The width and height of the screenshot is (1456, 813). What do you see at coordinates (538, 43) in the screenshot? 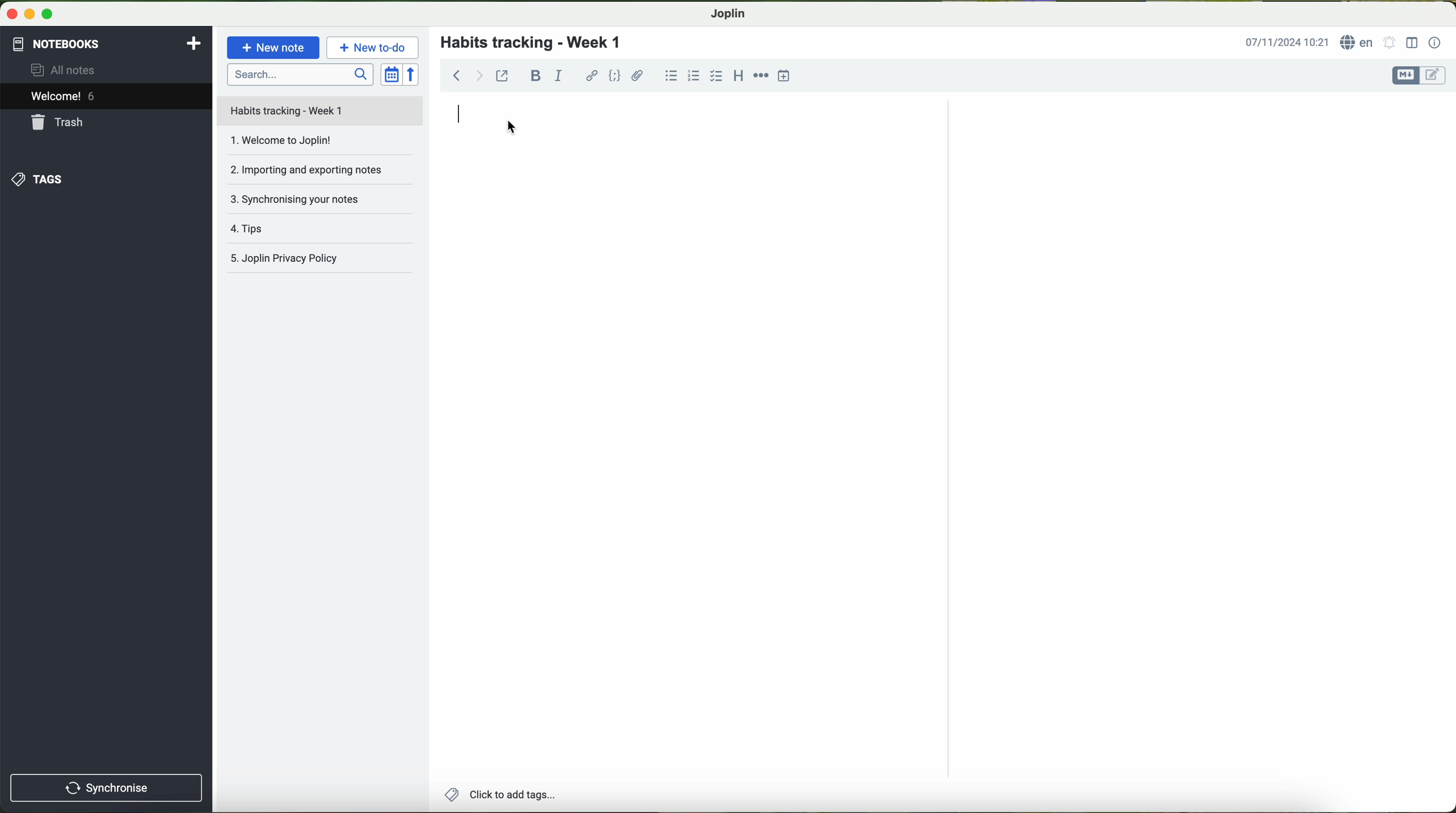
I see `habits tracking - week 1` at bounding box center [538, 43].